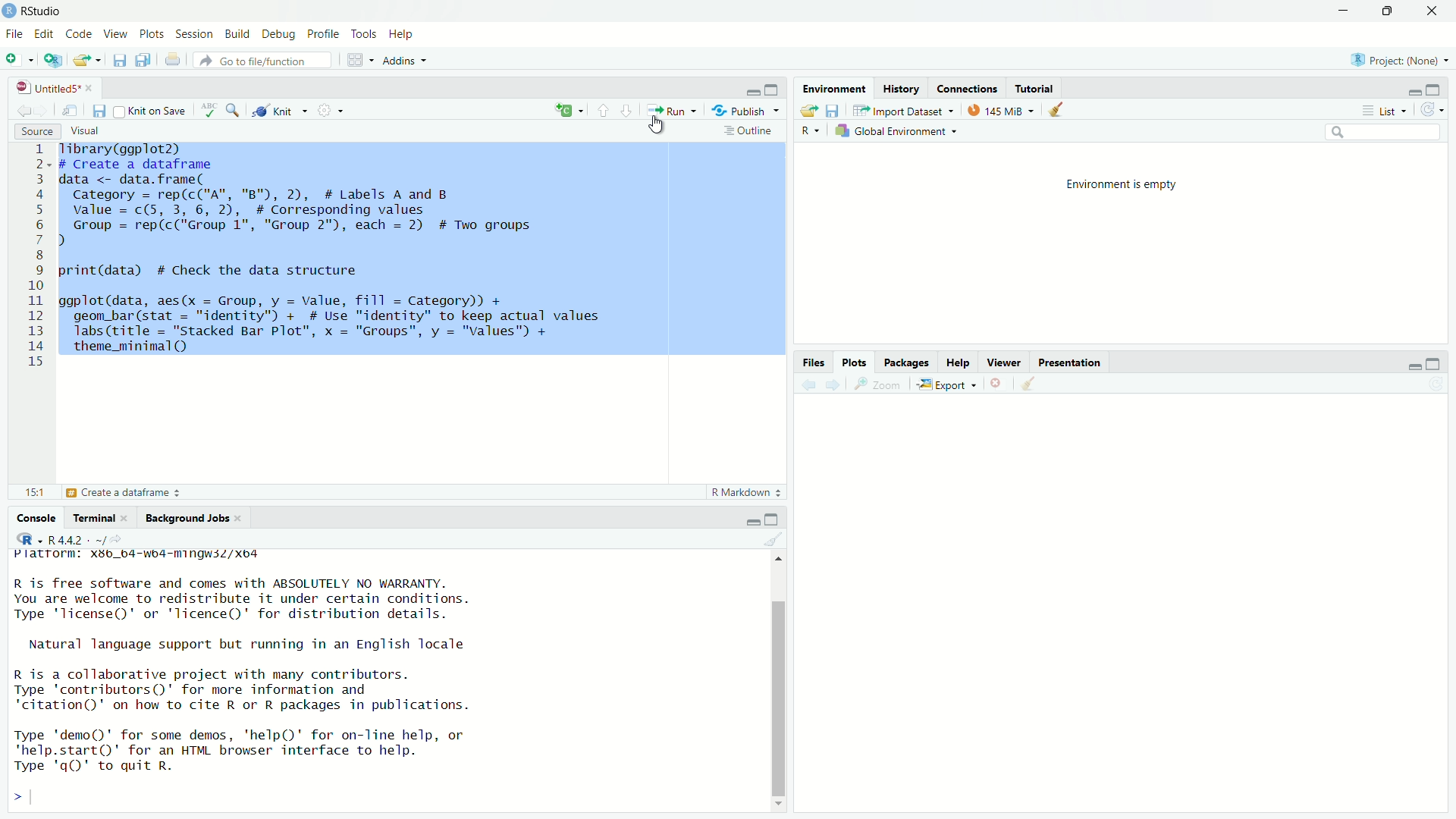 This screenshot has height=819, width=1456. I want to click on Help, so click(400, 34).